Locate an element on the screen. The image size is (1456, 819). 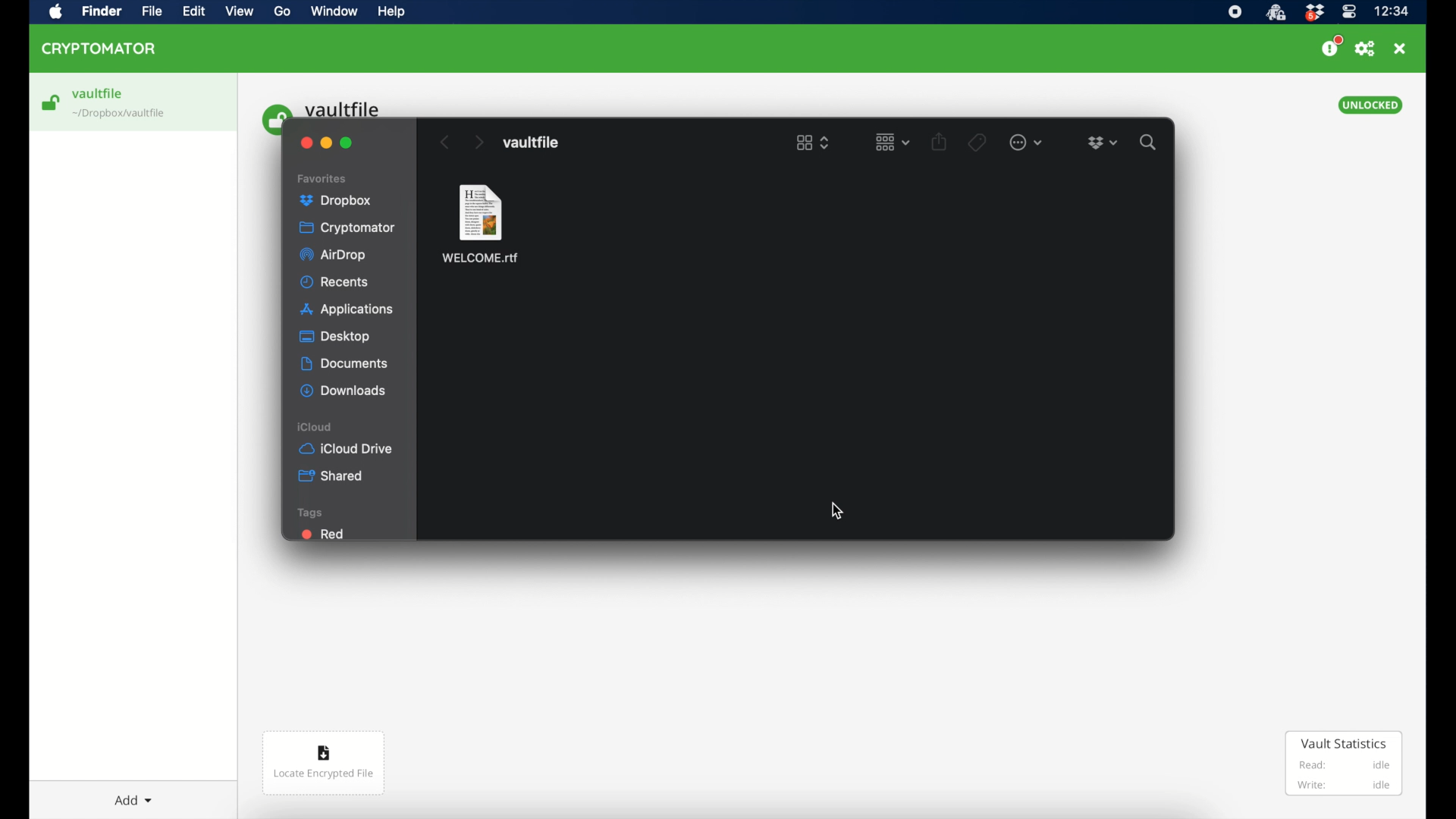
vault file is located at coordinates (347, 106).